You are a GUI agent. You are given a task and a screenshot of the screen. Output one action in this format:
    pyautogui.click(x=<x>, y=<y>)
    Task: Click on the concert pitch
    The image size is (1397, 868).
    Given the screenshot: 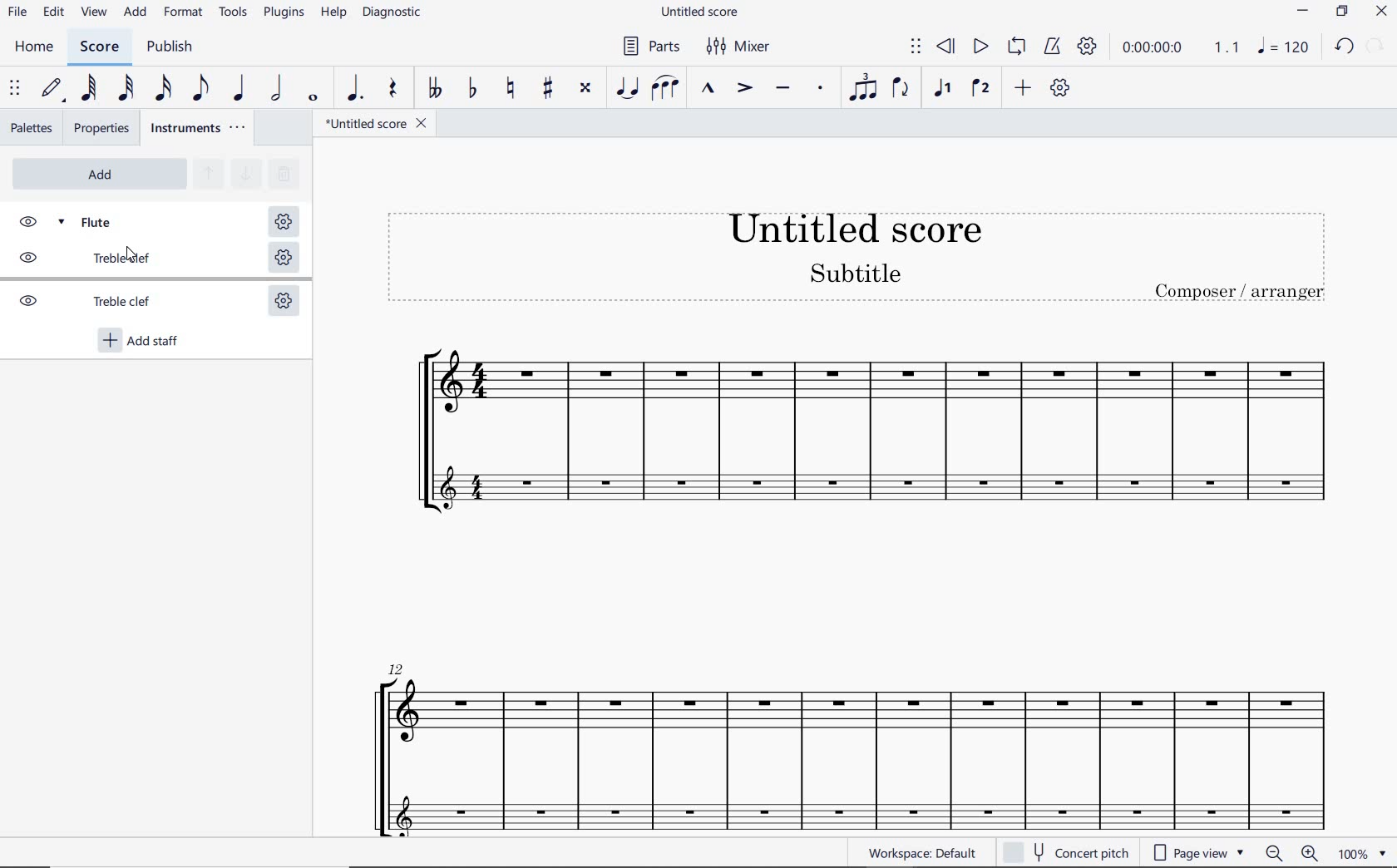 What is the action you would take?
    pyautogui.click(x=1069, y=852)
    